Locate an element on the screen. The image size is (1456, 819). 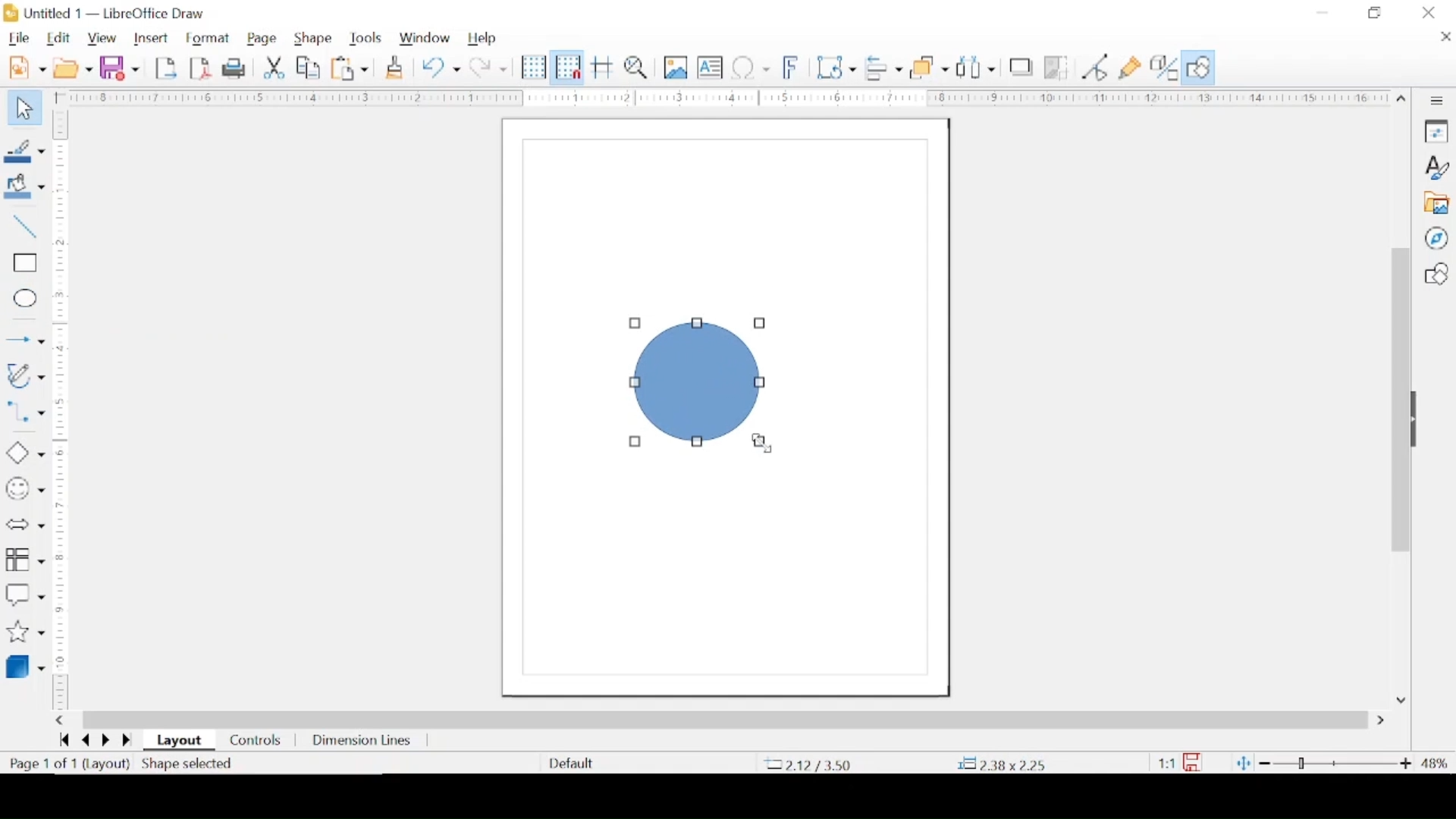
3d objects is located at coordinates (28, 666).